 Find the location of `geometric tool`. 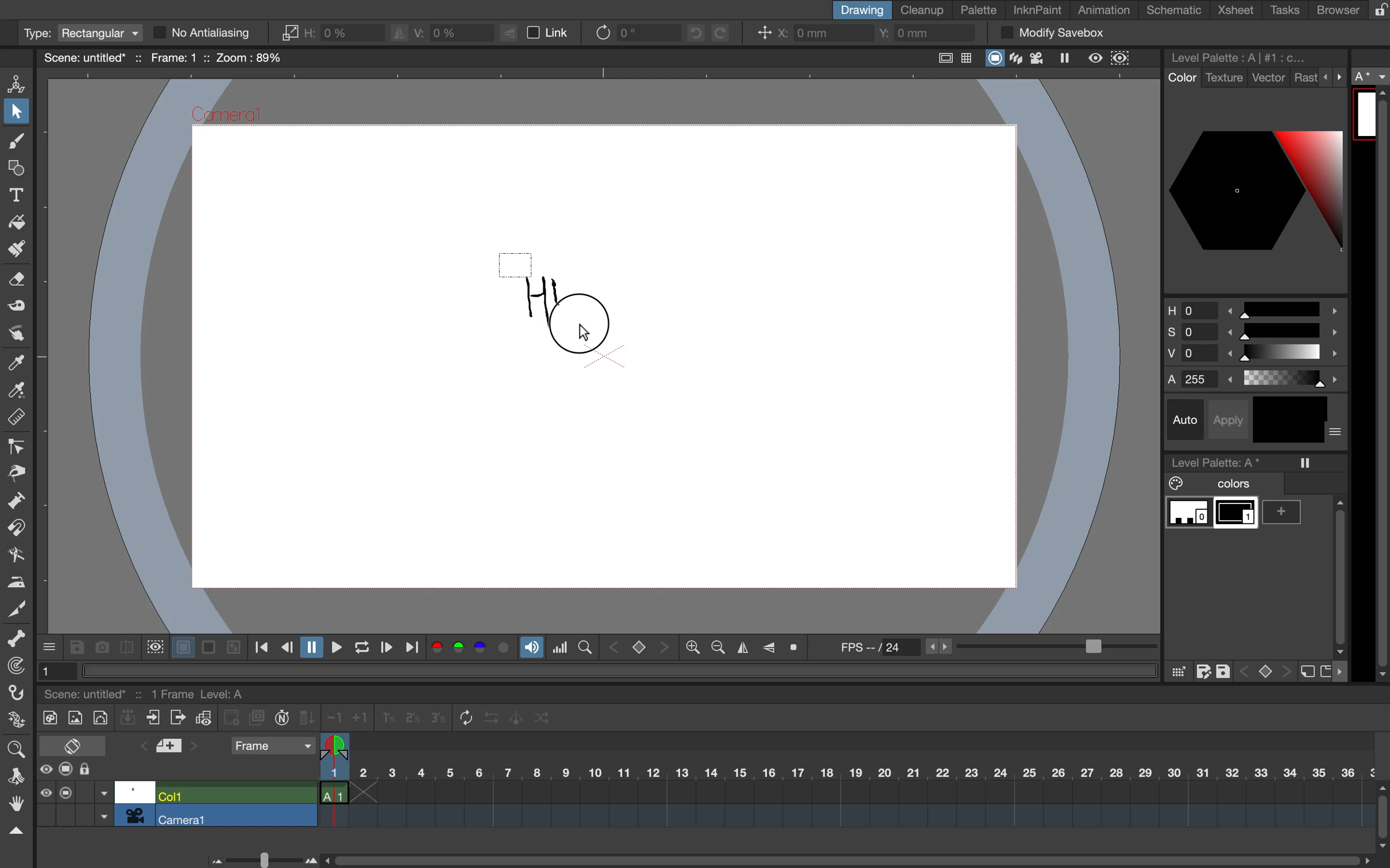

geometric tool is located at coordinates (16, 169).